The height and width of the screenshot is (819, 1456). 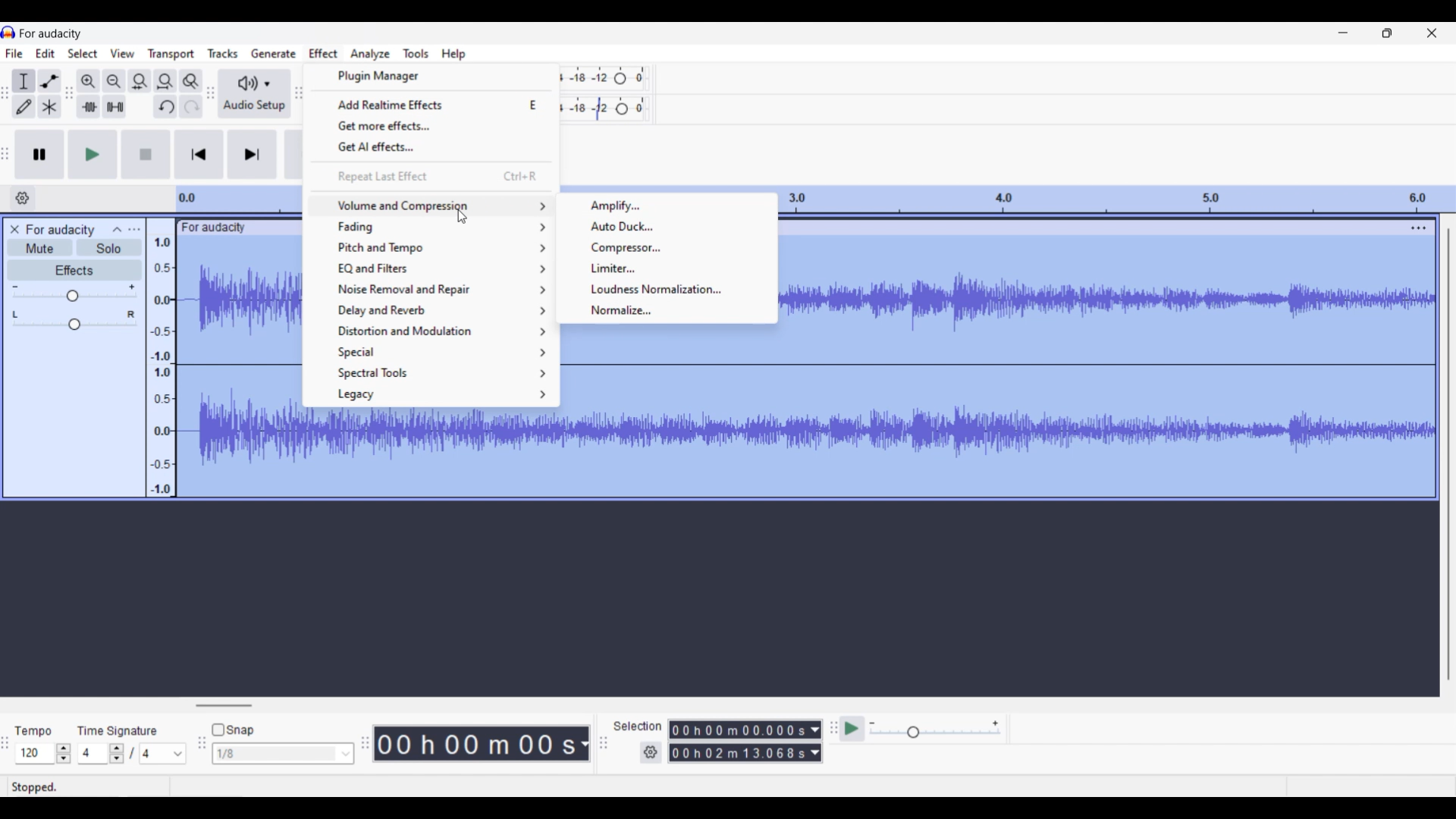 I want to click on Zoom in, so click(x=89, y=81).